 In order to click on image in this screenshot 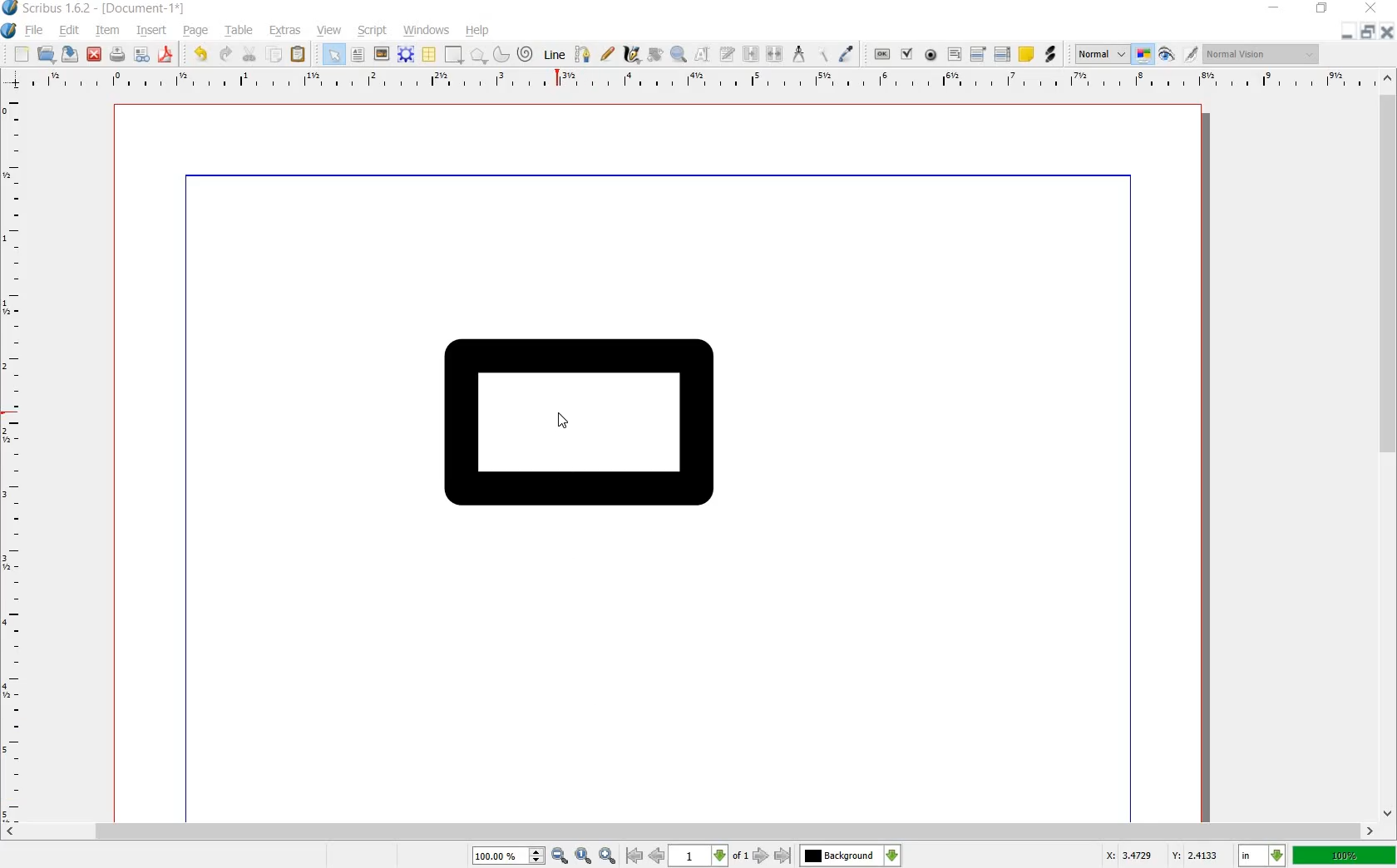, I will do `click(380, 53)`.